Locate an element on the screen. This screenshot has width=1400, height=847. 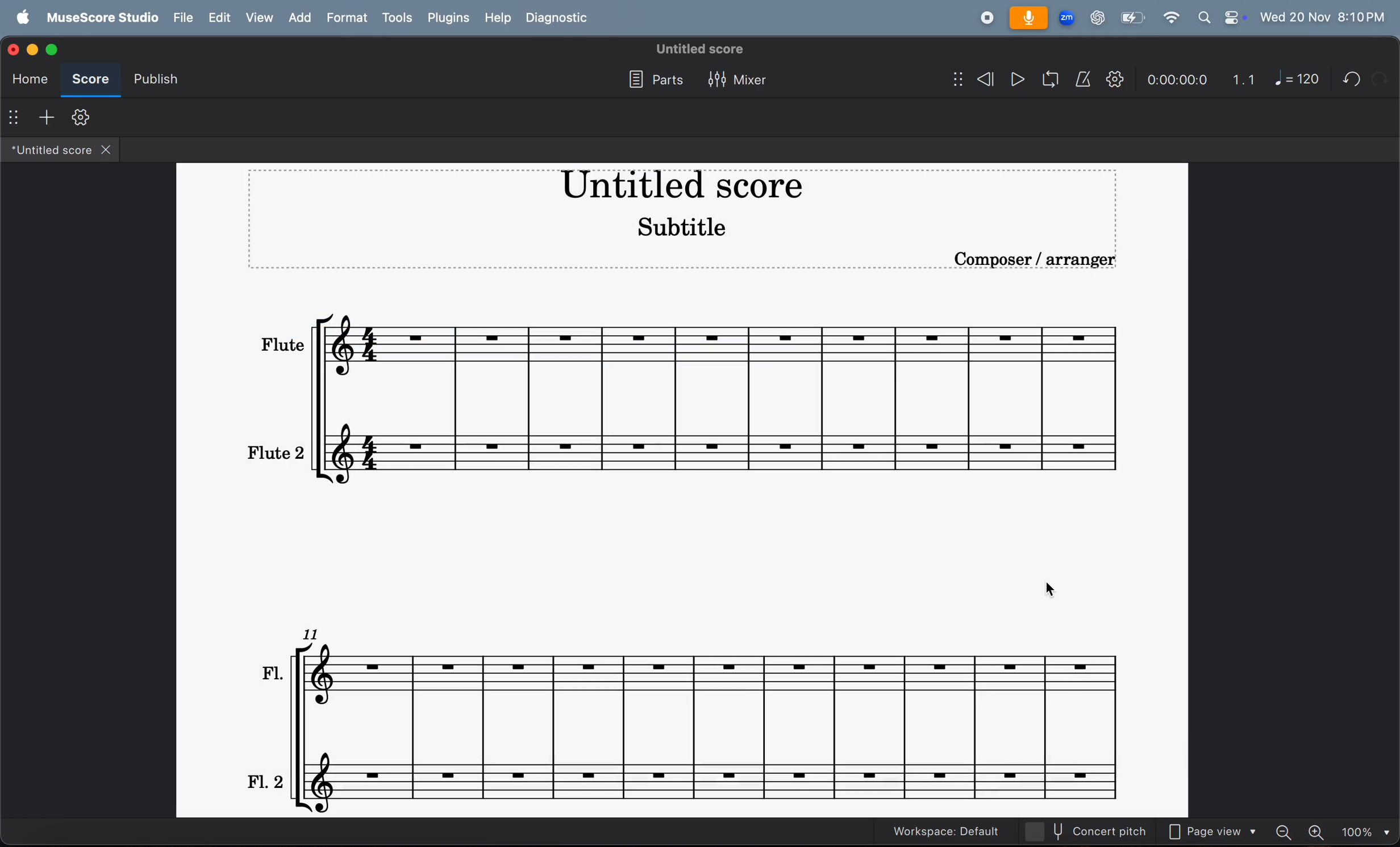
musescore studio is located at coordinates (98, 17).